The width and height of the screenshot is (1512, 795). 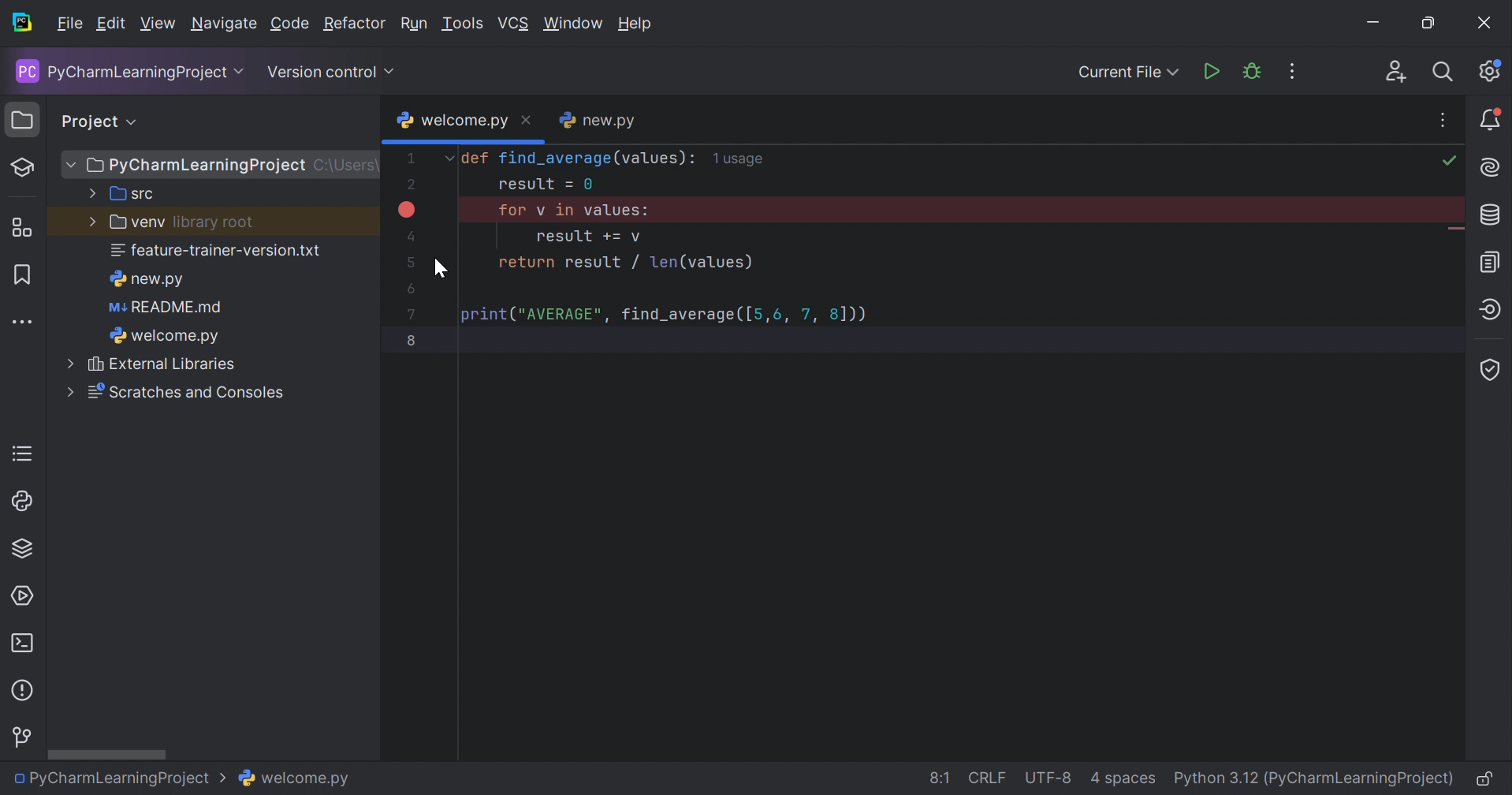 What do you see at coordinates (210, 222) in the screenshot?
I see `library root` at bounding box center [210, 222].